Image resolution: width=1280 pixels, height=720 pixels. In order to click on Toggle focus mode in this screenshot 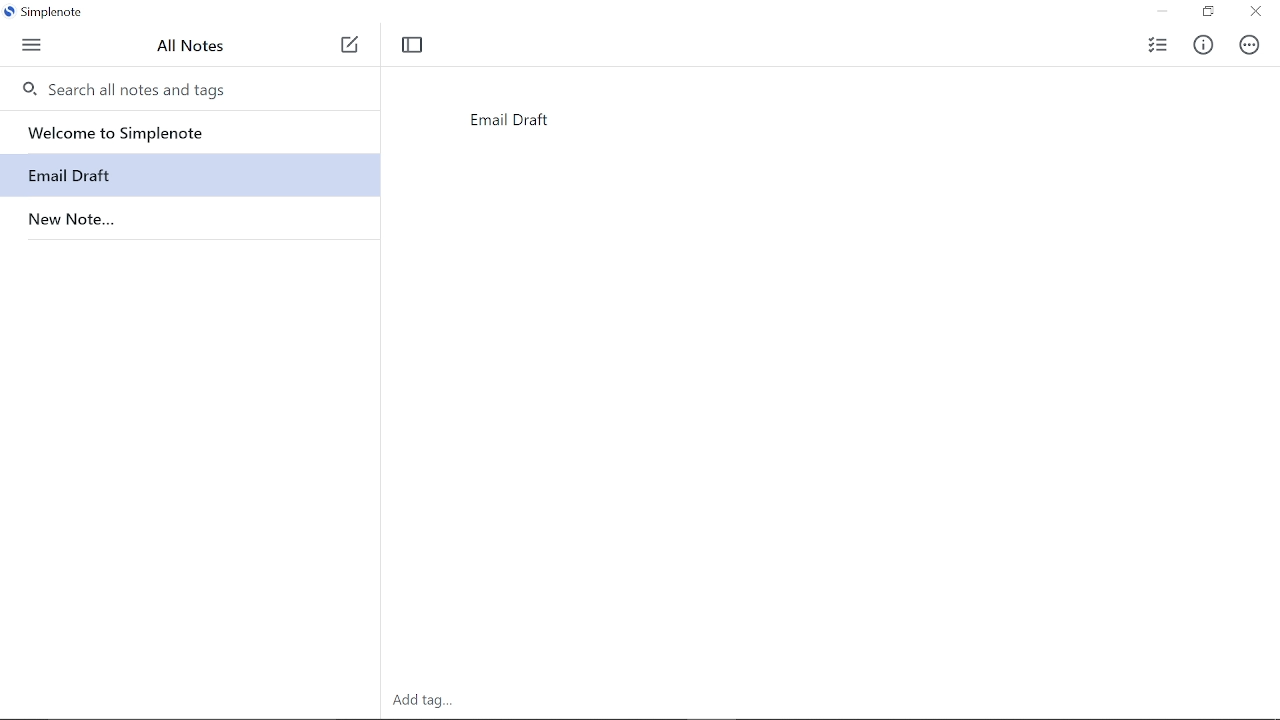, I will do `click(412, 44)`.